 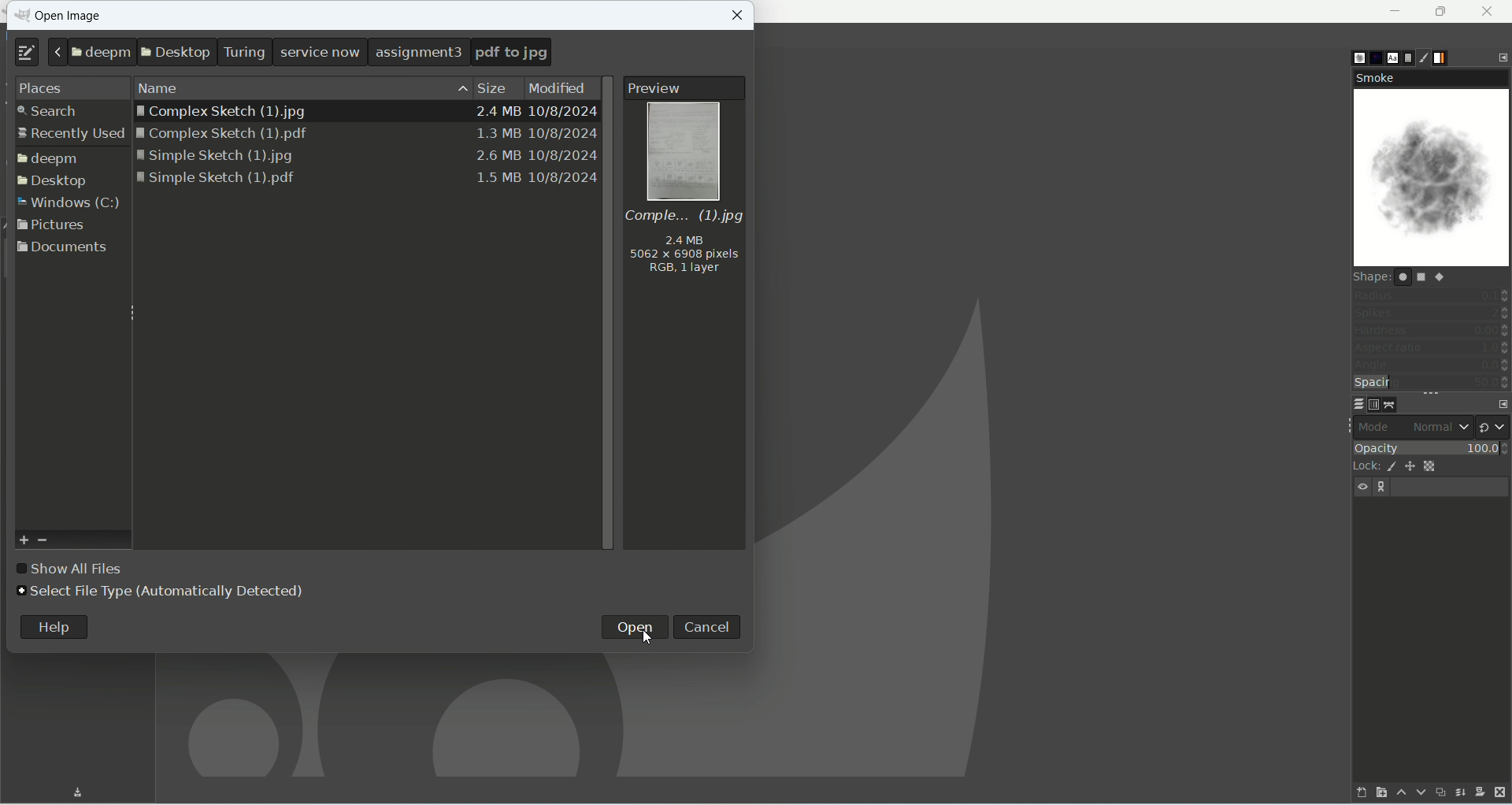 What do you see at coordinates (1385, 488) in the screenshot?
I see `layer linking` at bounding box center [1385, 488].